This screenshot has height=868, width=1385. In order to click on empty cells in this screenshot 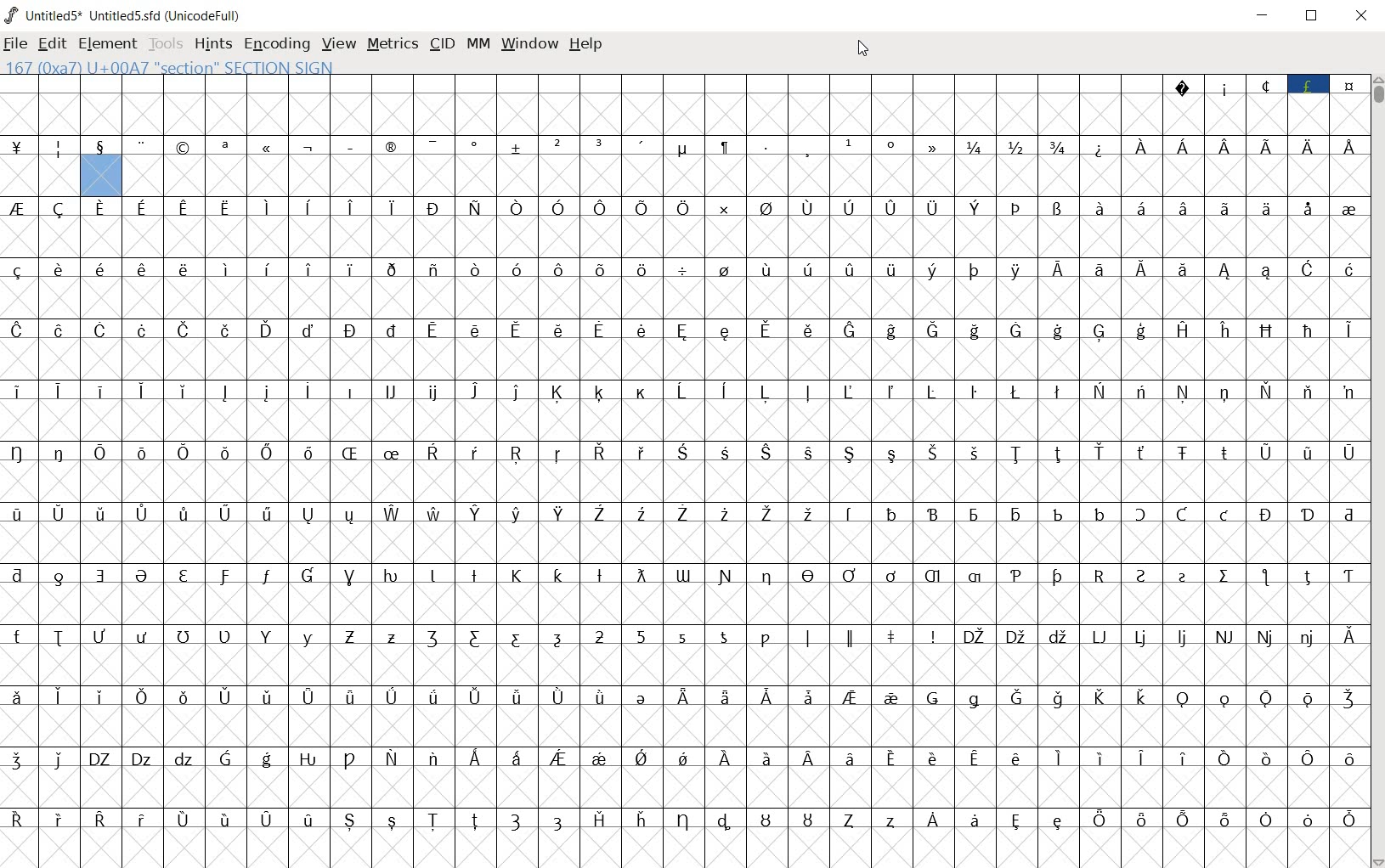, I will do `click(686, 237)`.